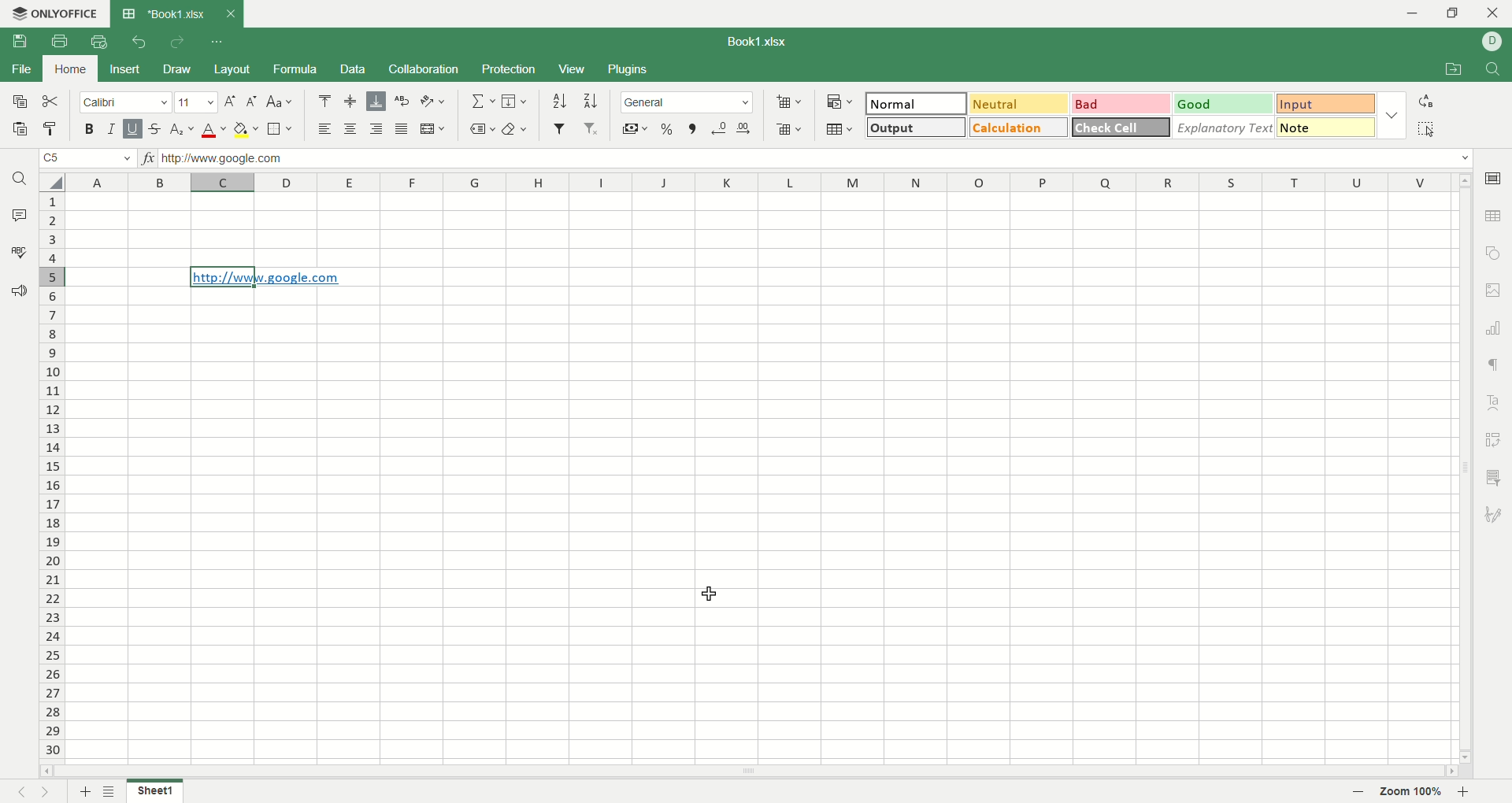 This screenshot has height=803, width=1512. Describe the element at coordinates (1228, 127) in the screenshot. I see `explanatory text` at that location.